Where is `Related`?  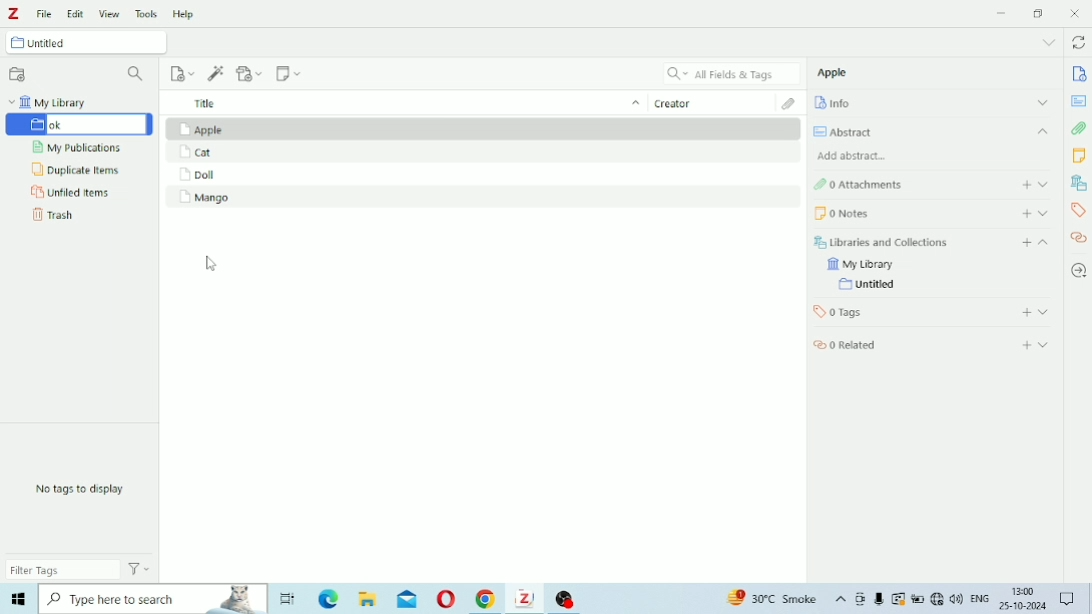 Related is located at coordinates (845, 345).